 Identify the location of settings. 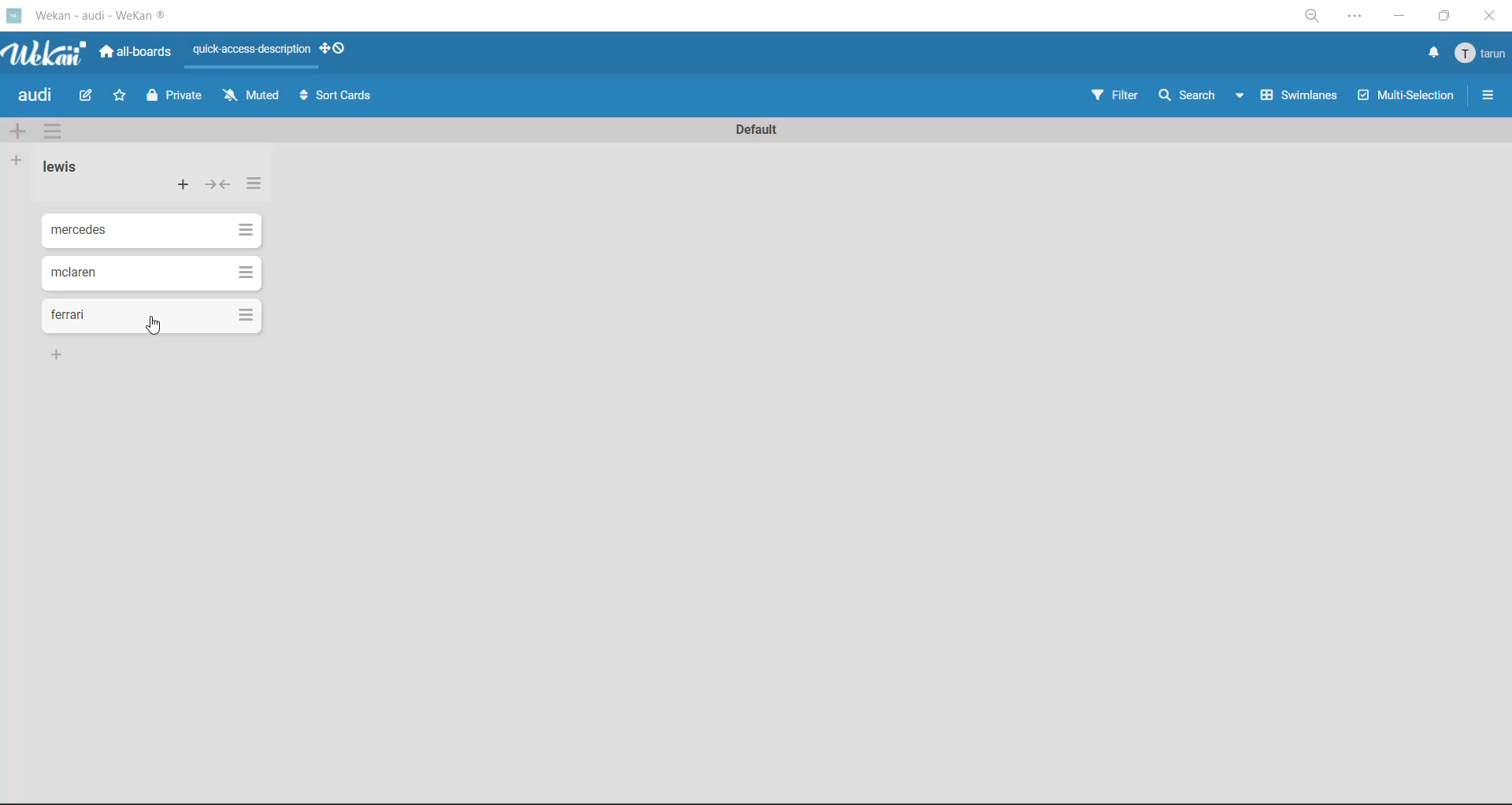
(1357, 19).